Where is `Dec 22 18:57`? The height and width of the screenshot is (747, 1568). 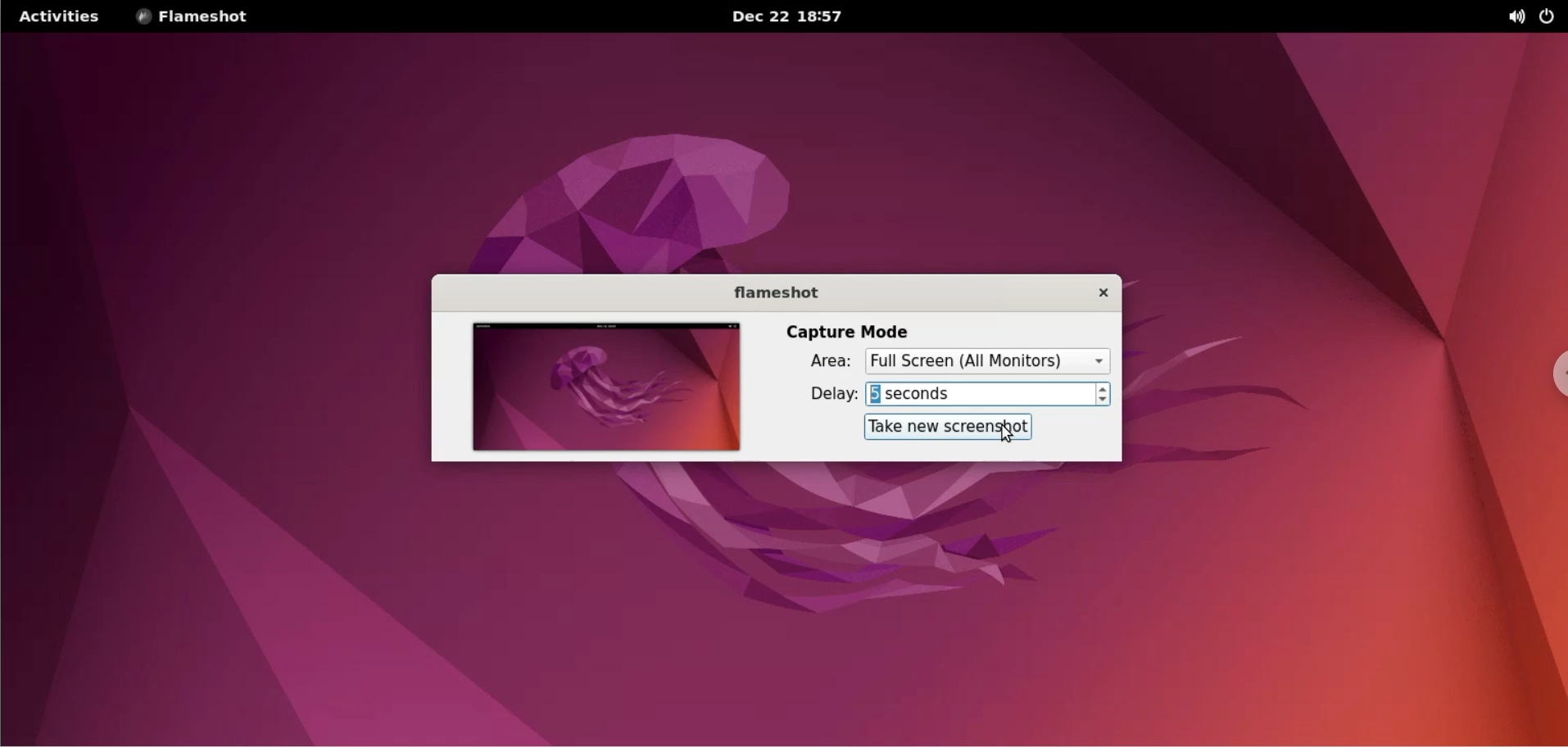 Dec 22 18:57 is located at coordinates (791, 17).